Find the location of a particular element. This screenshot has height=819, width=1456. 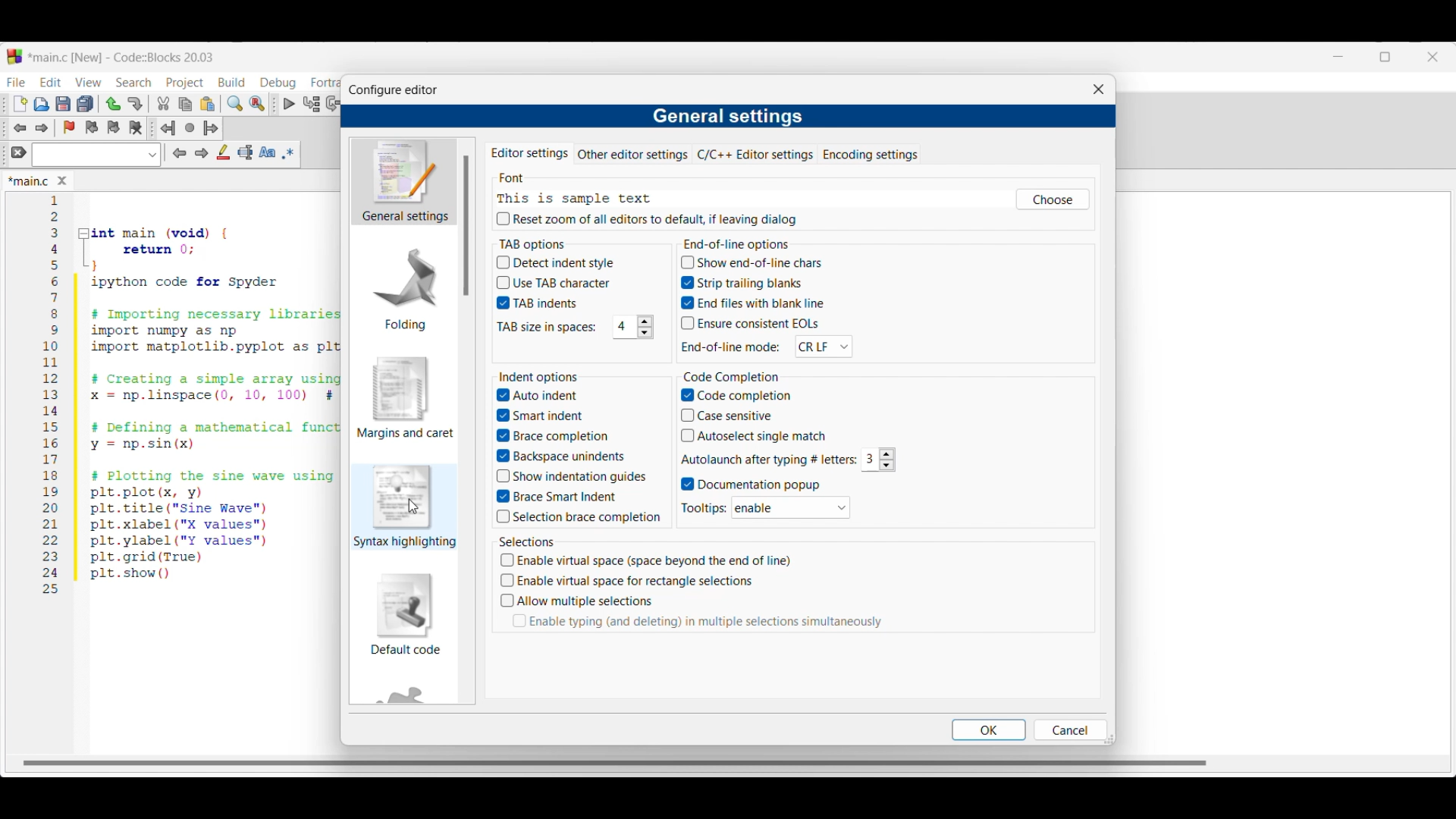

Case sensitive is located at coordinates (725, 416).